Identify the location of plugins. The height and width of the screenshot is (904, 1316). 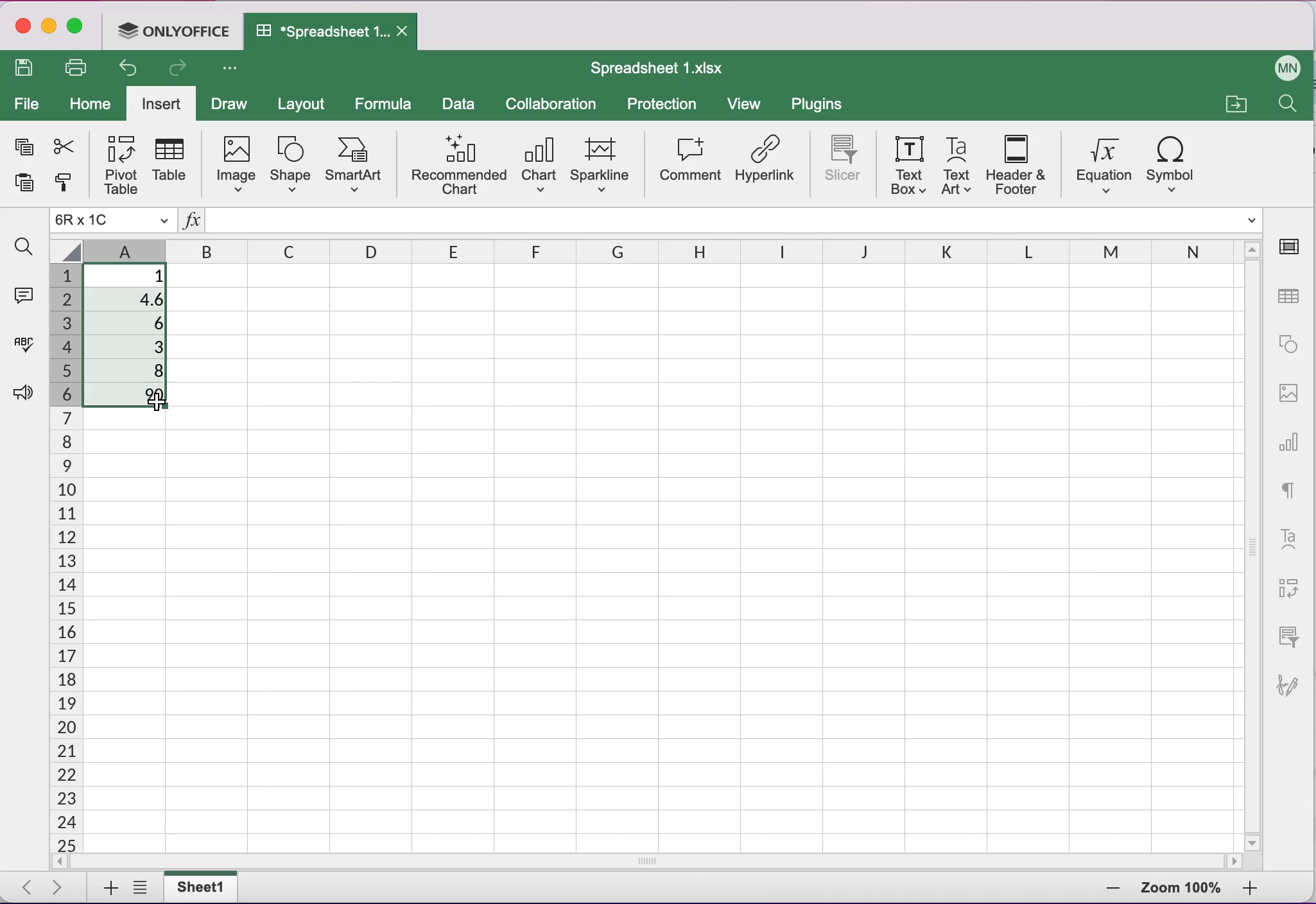
(818, 105).